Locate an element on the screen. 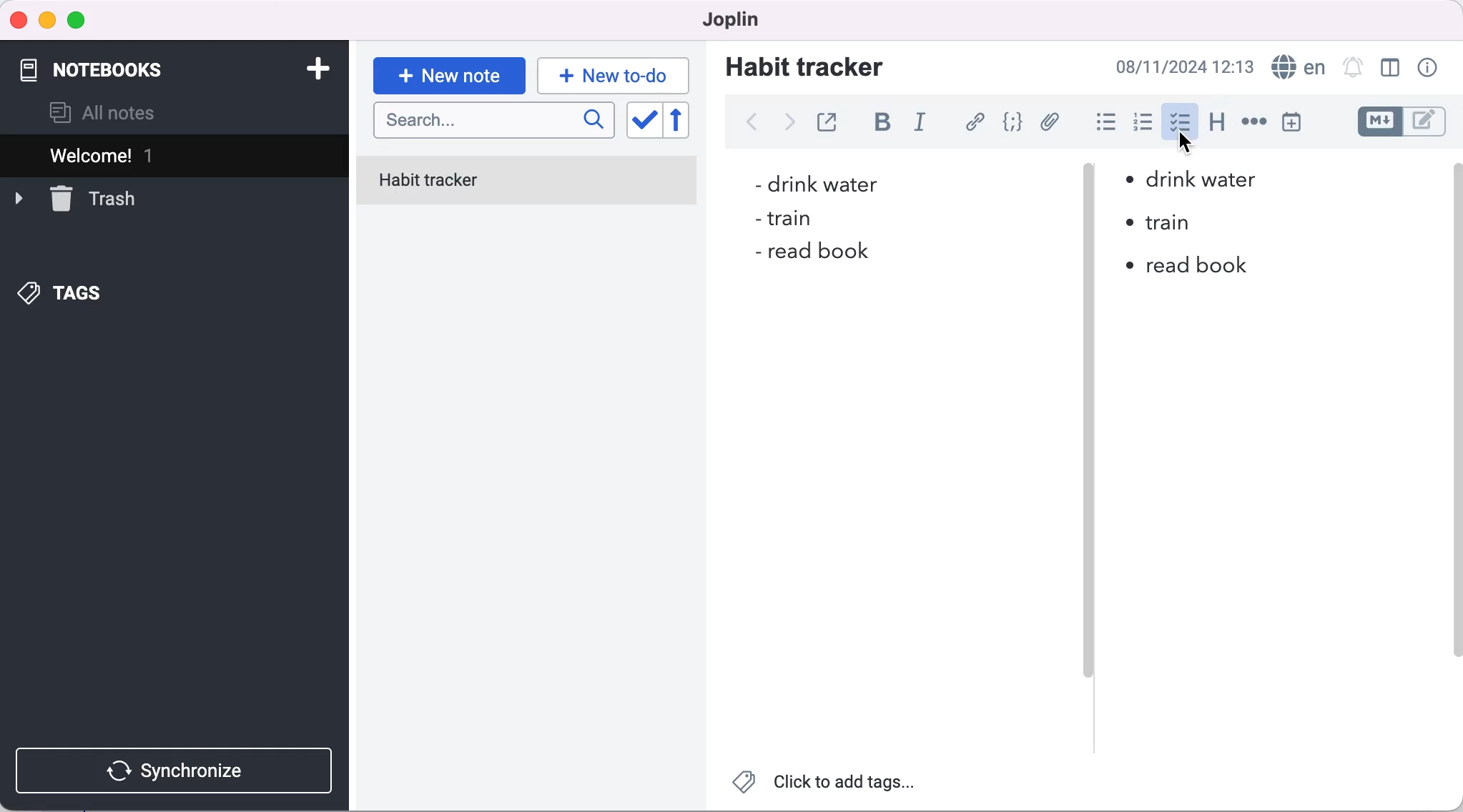 The image size is (1463, 812). vertical slider is located at coordinates (1088, 450).